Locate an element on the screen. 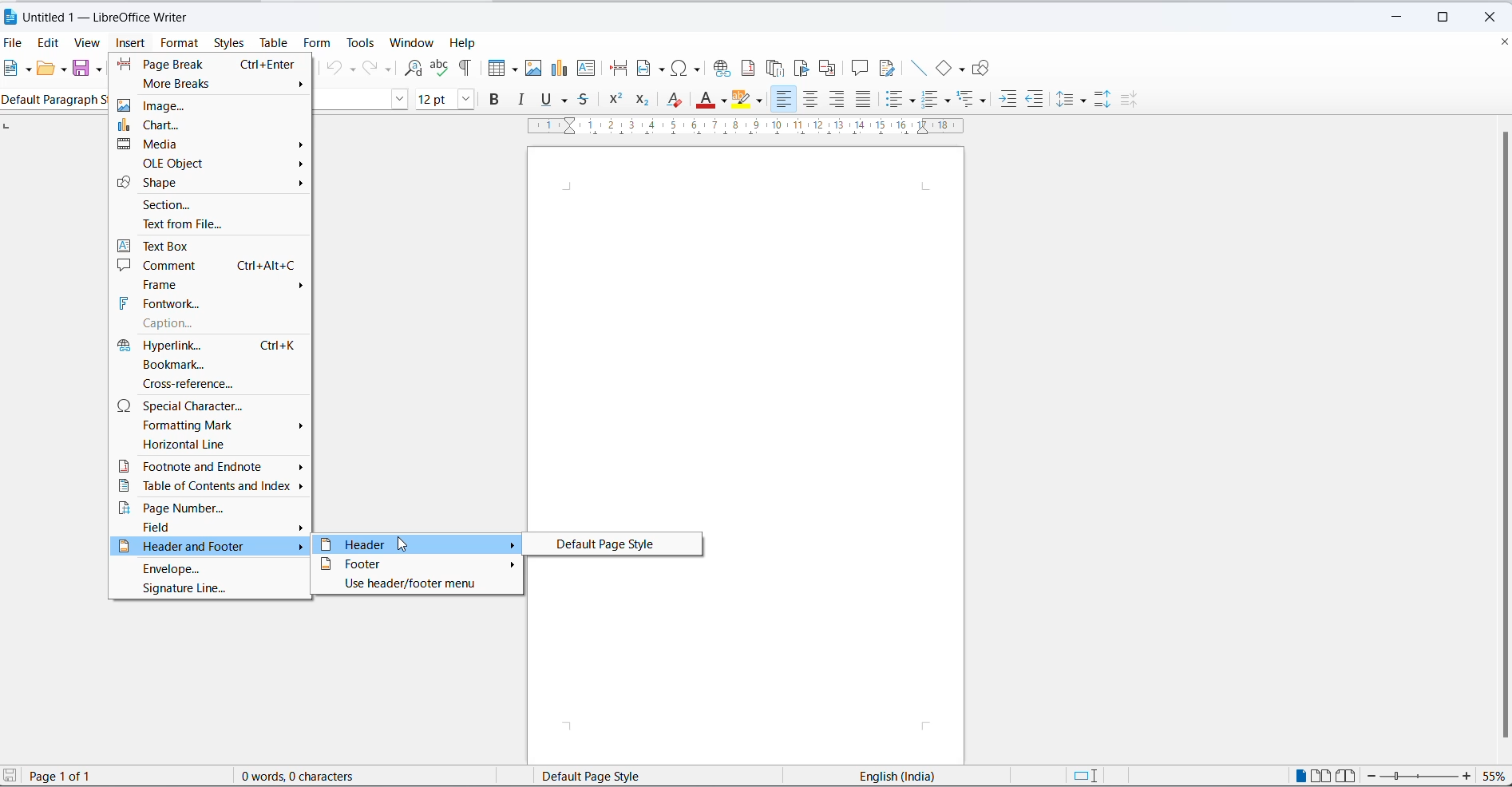 The width and height of the screenshot is (1512, 787). standard selection is located at coordinates (1088, 777).